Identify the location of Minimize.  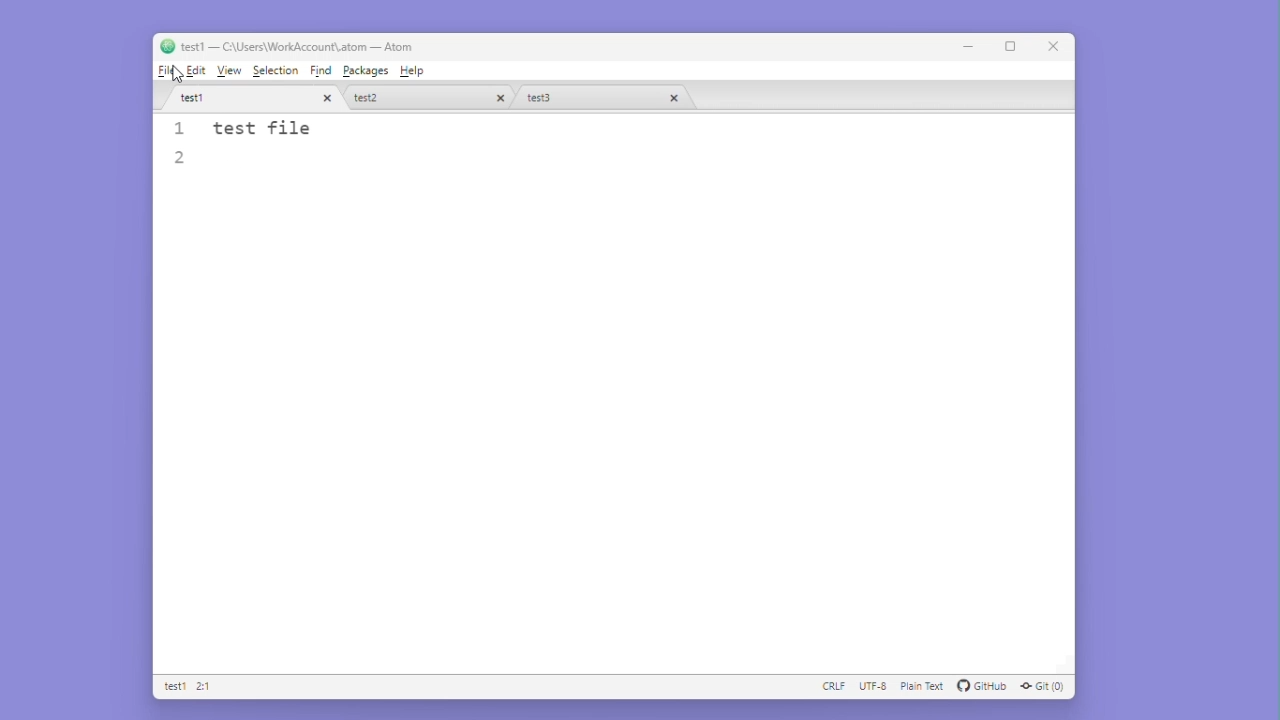
(969, 48).